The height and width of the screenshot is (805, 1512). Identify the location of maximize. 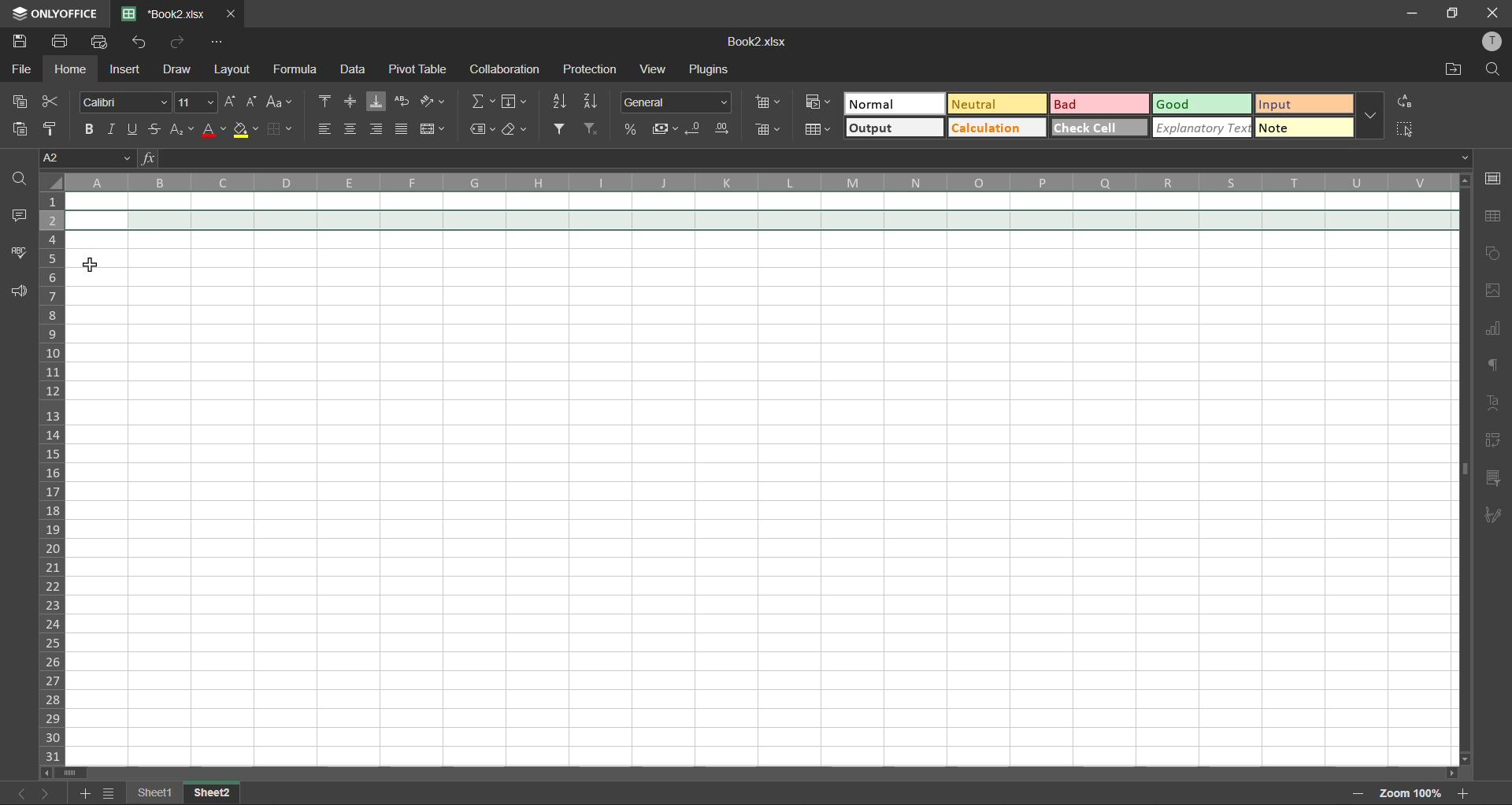
(1453, 14).